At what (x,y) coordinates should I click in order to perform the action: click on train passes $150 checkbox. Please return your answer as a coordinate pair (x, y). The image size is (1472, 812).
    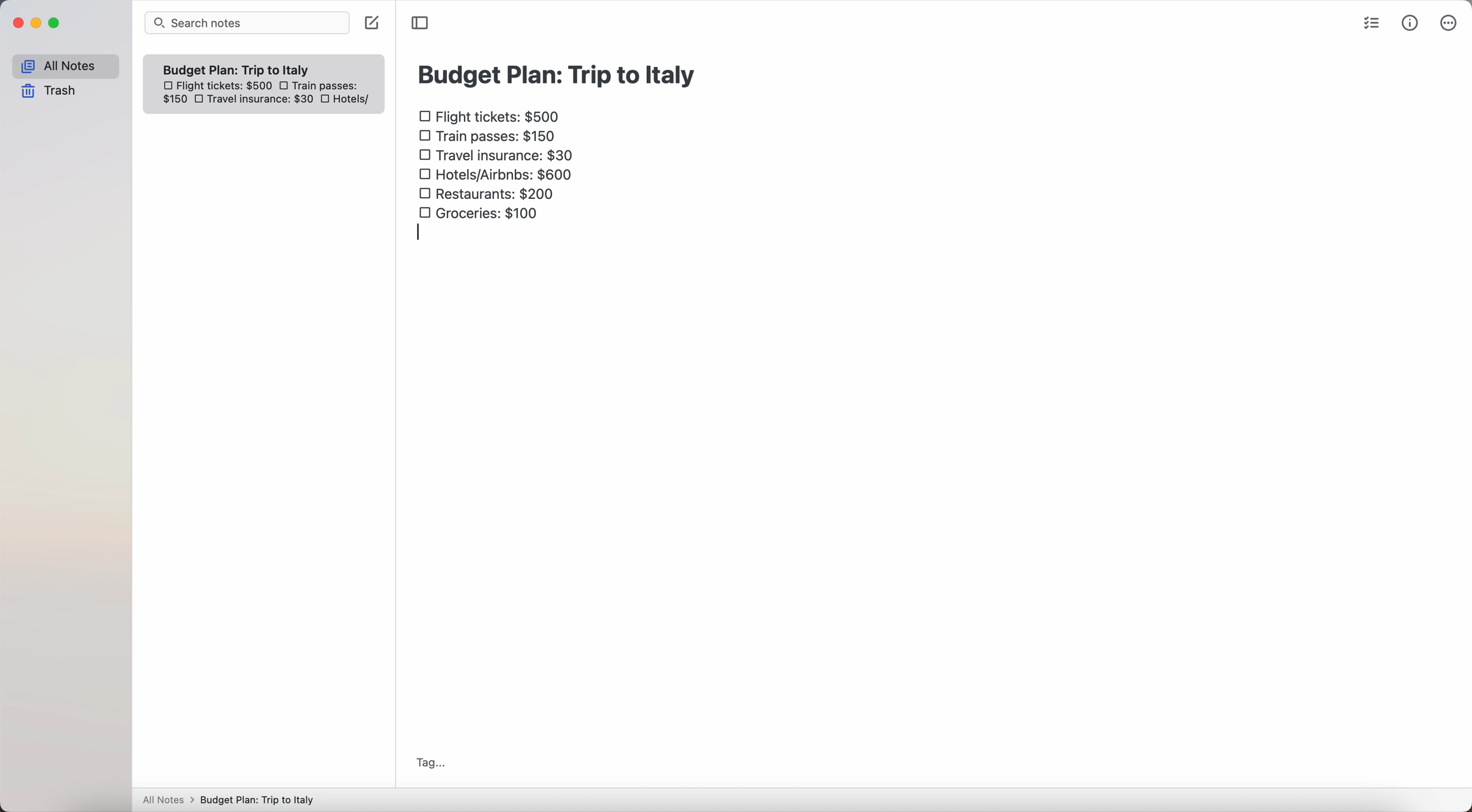
    Looking at the image, I should click on (489, 139).